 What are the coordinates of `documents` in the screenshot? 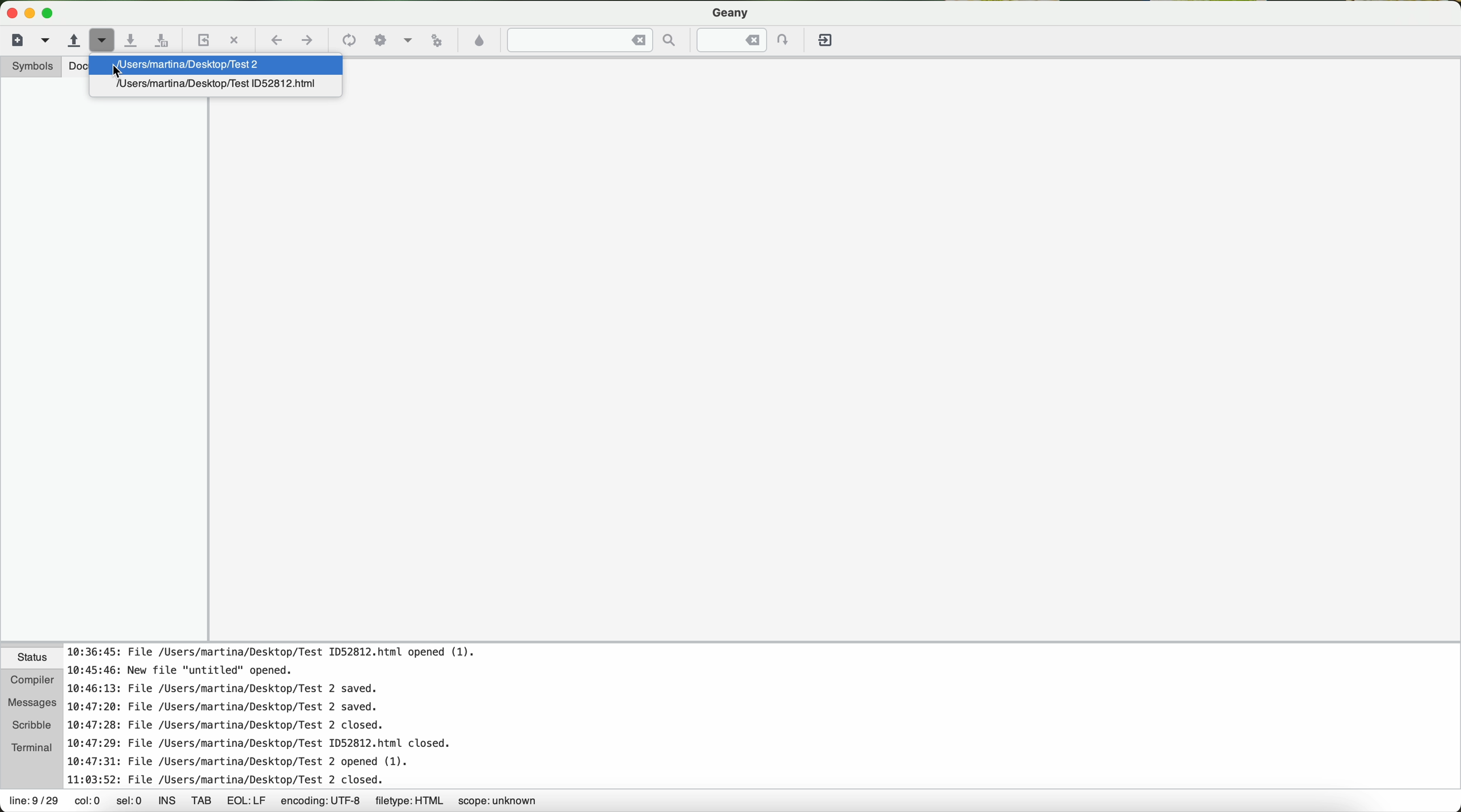 It's located at (78, 67).